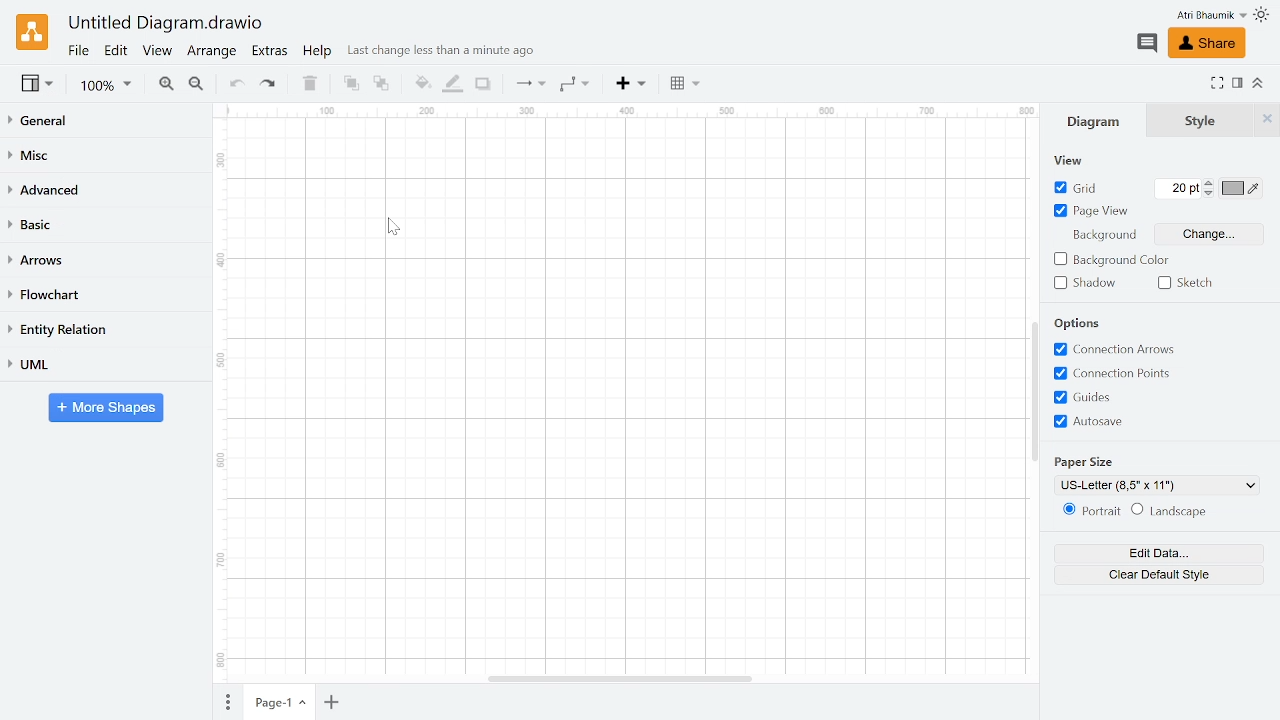 The width and height of the screenshot is (1280, 720). Describe the element at coordinates (1171, 512) in the screenshot. I see `Landscape` at that location.